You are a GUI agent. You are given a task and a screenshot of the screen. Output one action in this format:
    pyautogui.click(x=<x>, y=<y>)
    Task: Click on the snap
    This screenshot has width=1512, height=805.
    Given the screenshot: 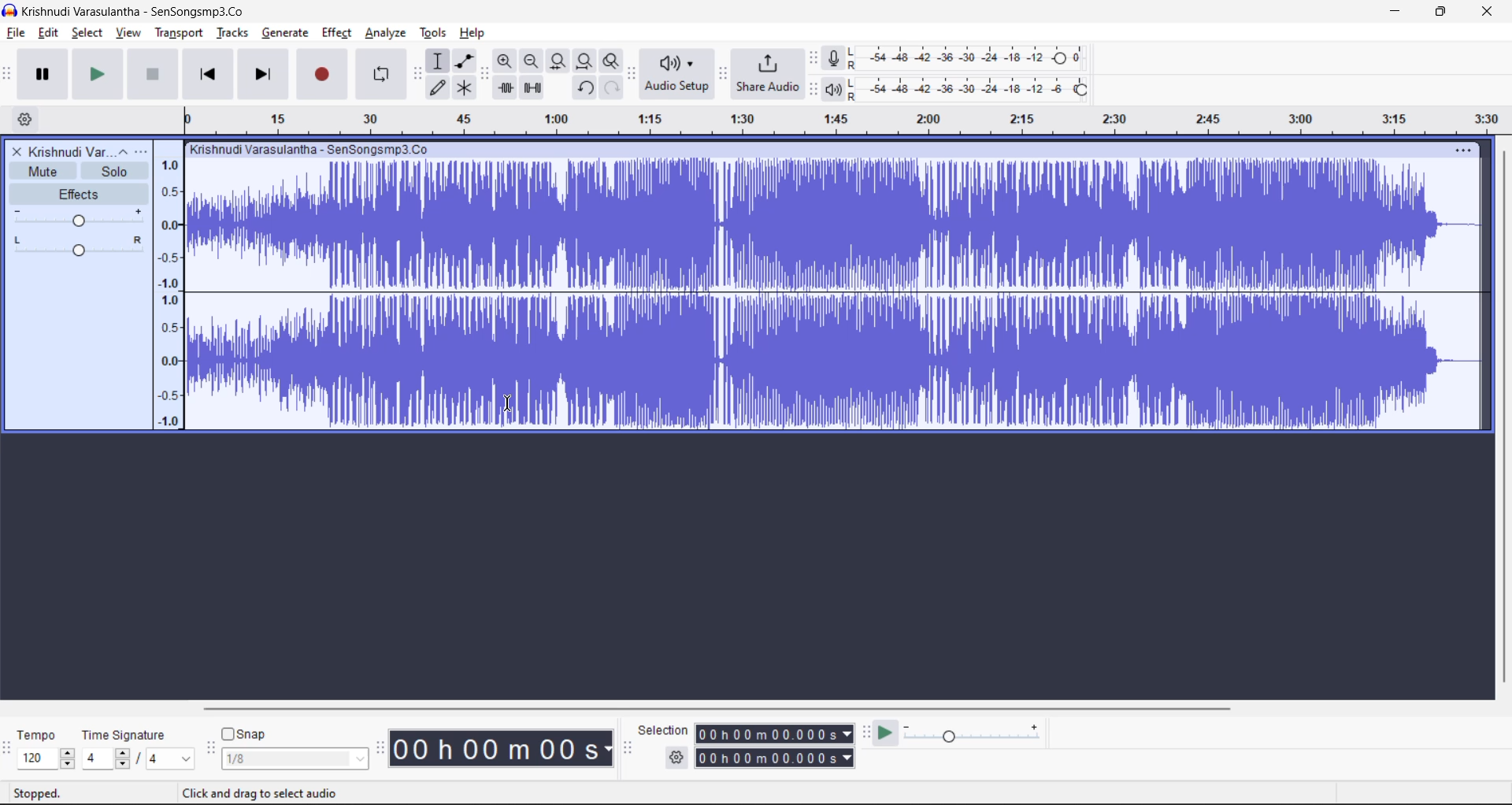 What is the action you would take?
    pyautogui.click(x=244, y=734)
    